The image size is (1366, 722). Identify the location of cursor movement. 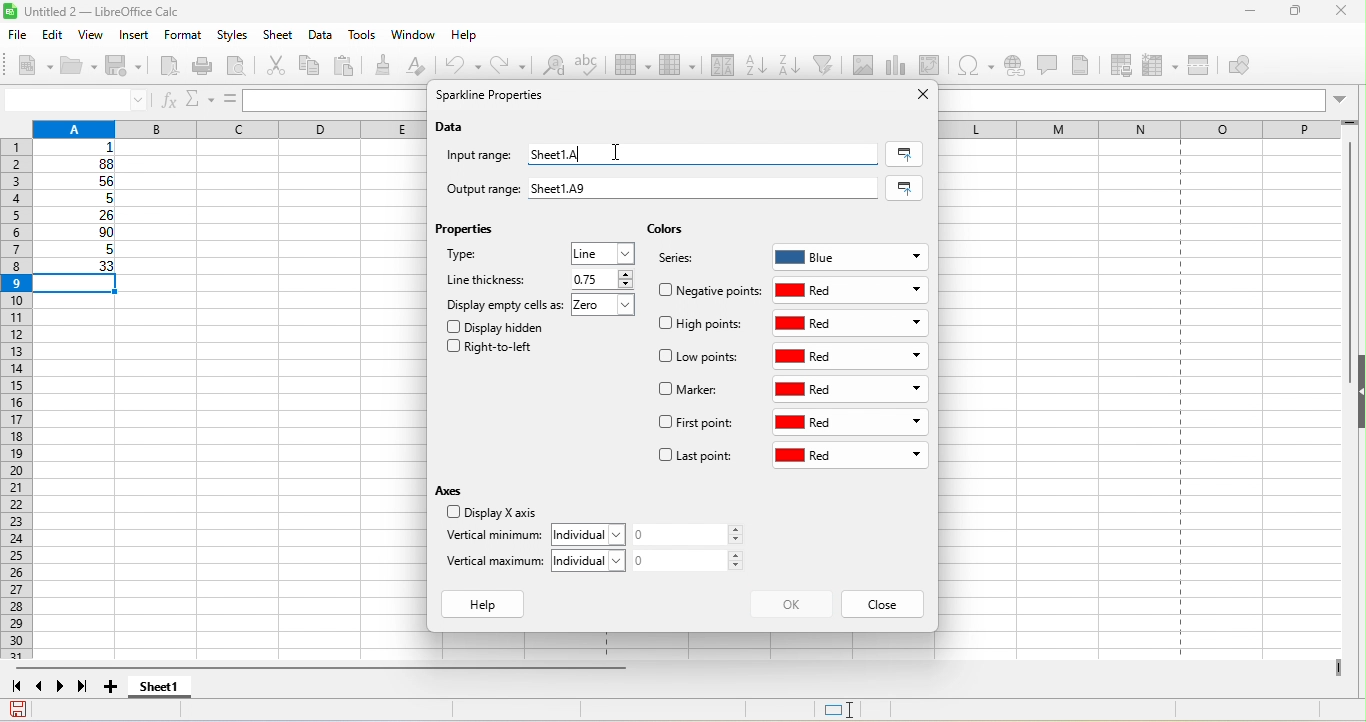
(615, 150).